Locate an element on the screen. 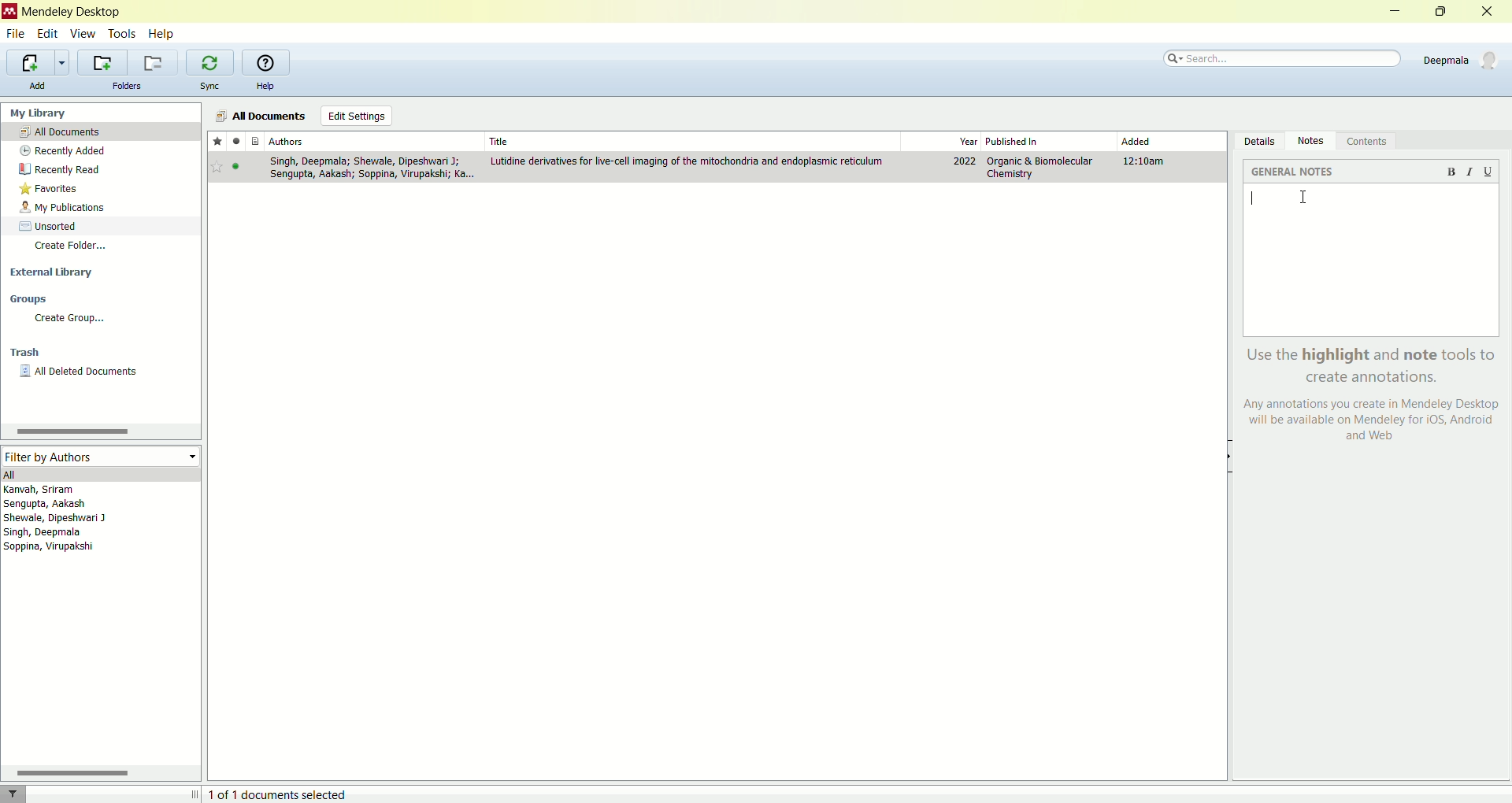 The image size is (1512, 803). bold is located at coordinates (1455, 176).